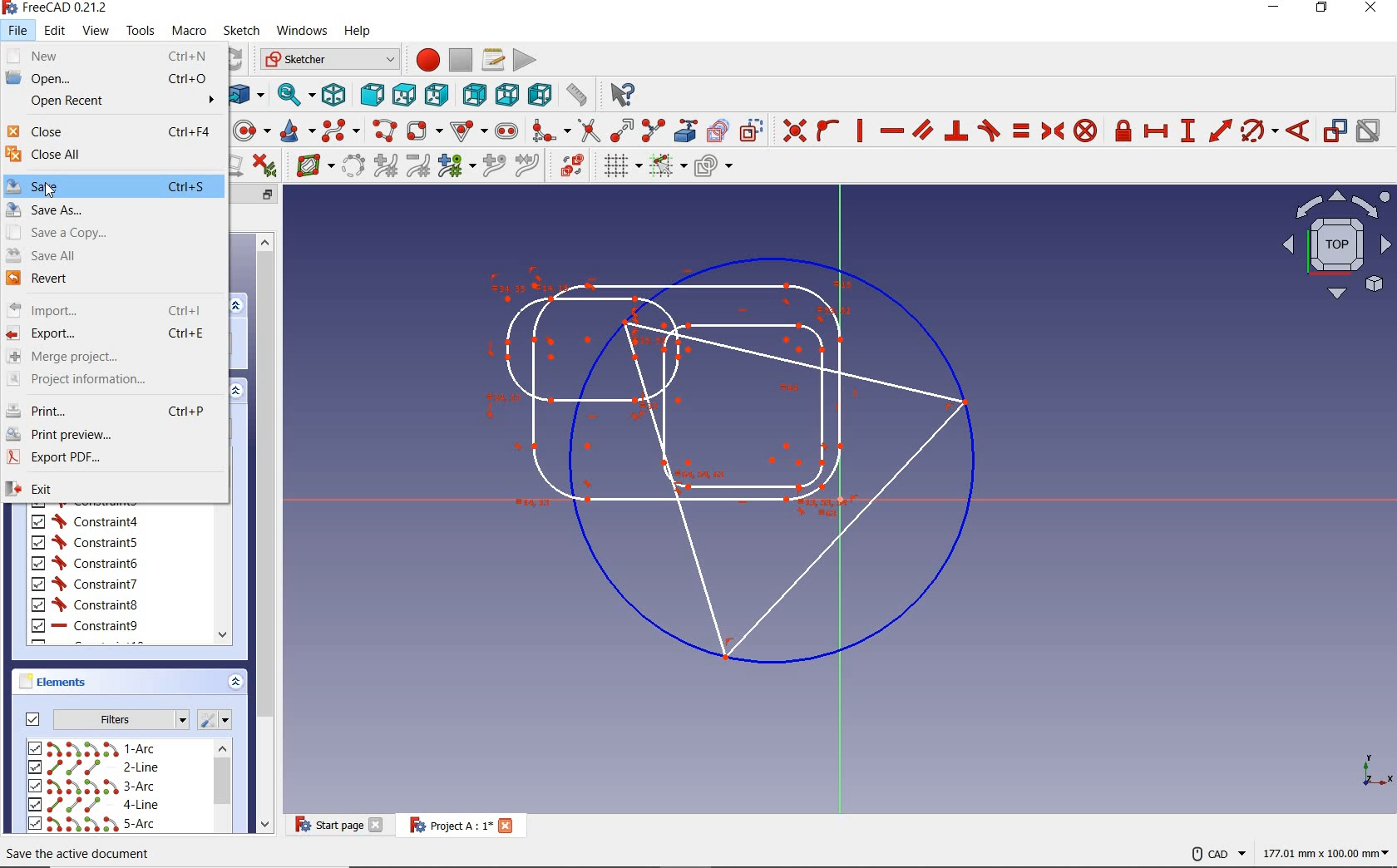 This screenshot has height=868, width=1397. I want to click on toggle construction geometry, so click(750, 130).